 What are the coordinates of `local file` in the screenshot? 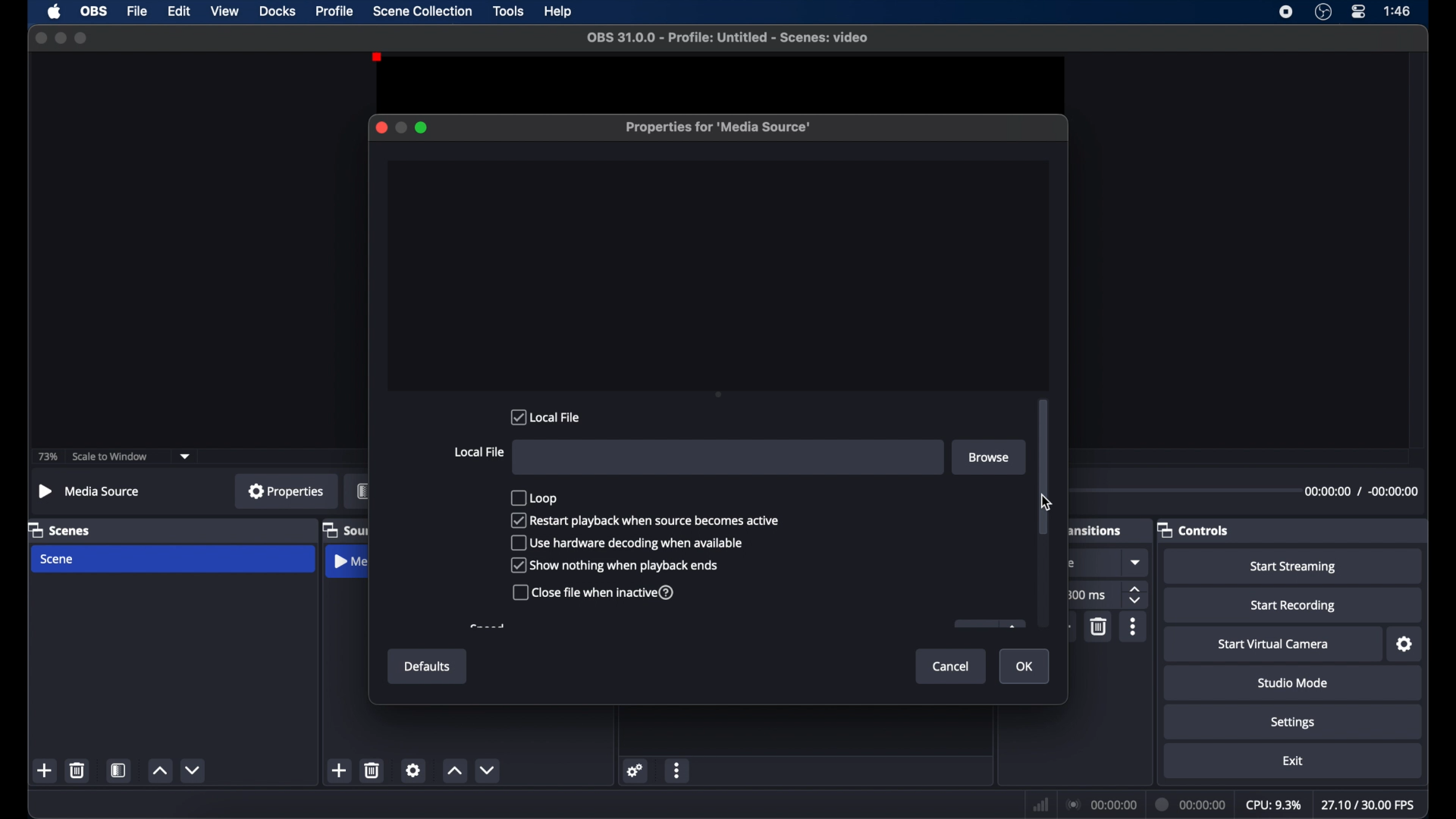 It's located at (546, 416).